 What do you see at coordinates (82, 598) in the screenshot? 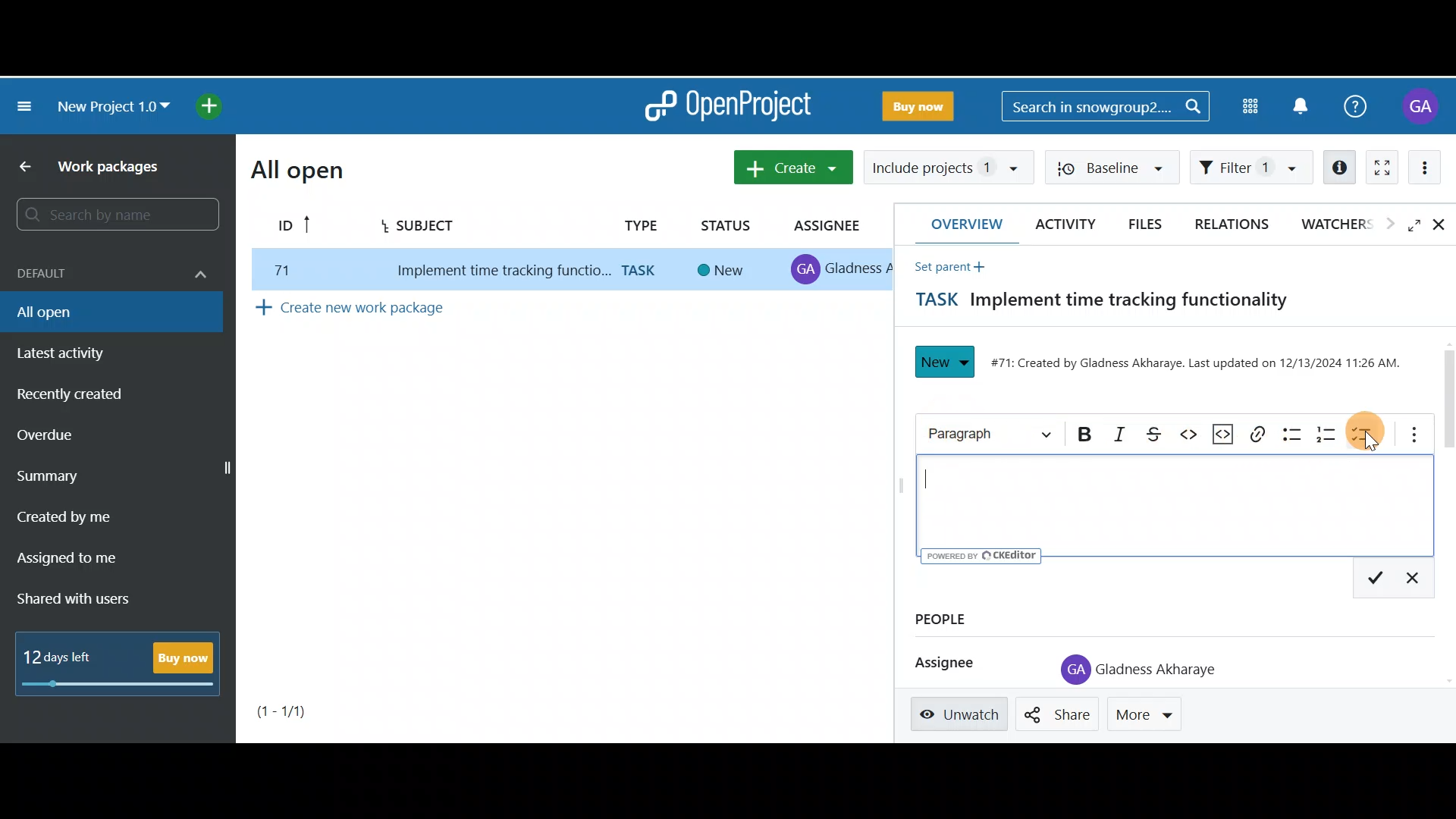
I see `Shared with users` at bounding box center [82, 598].